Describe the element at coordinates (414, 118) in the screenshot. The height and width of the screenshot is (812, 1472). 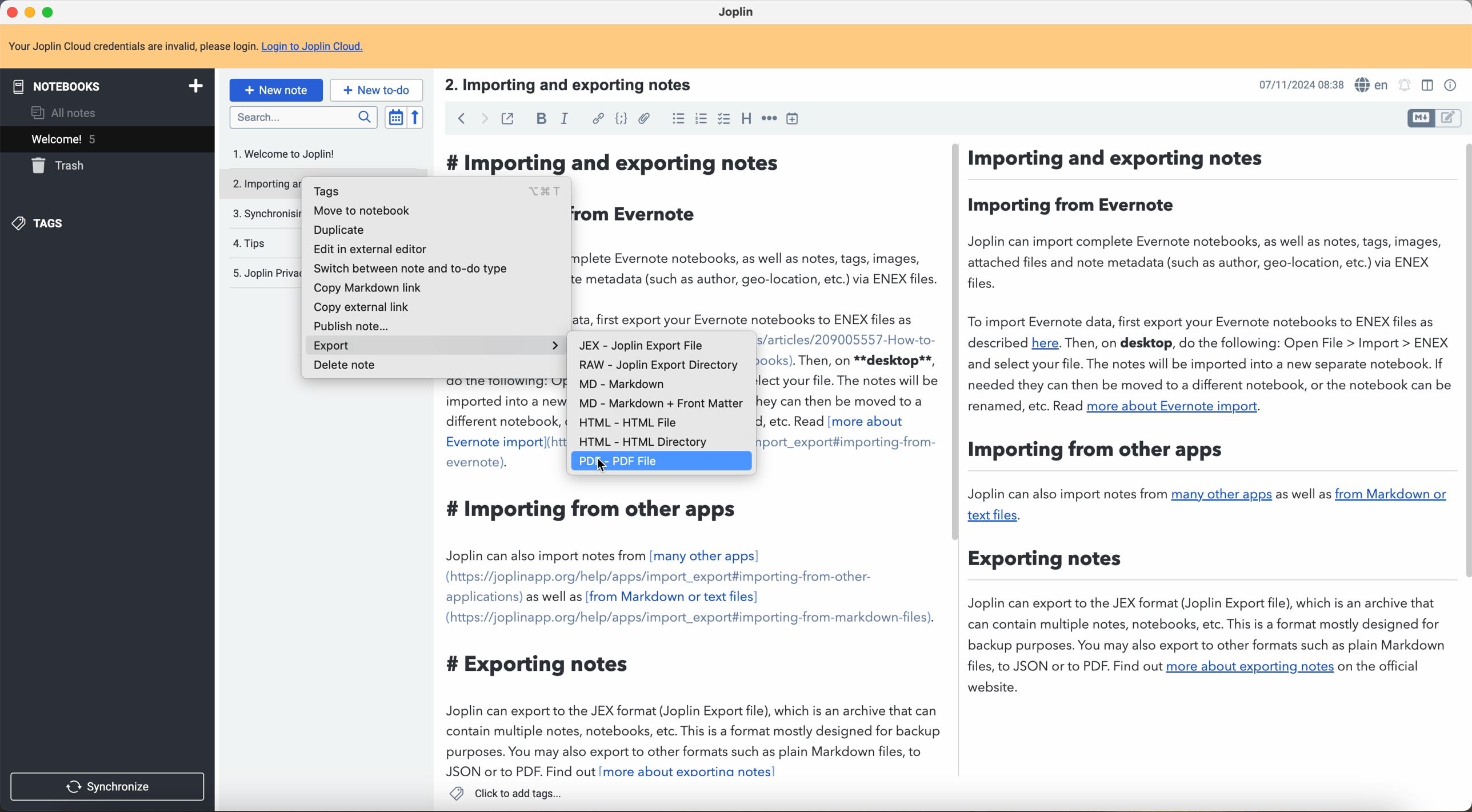
I see `reverse sort order` at that location.